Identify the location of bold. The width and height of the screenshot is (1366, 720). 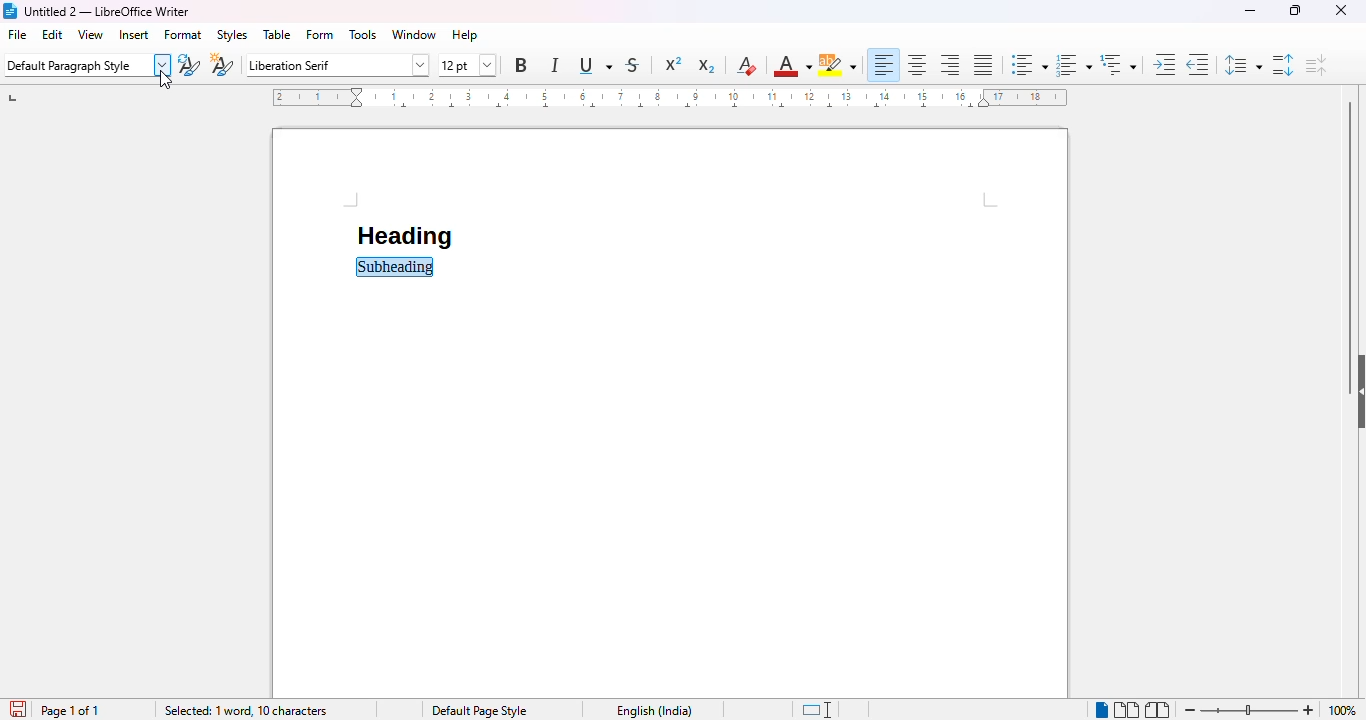
(521, 65).